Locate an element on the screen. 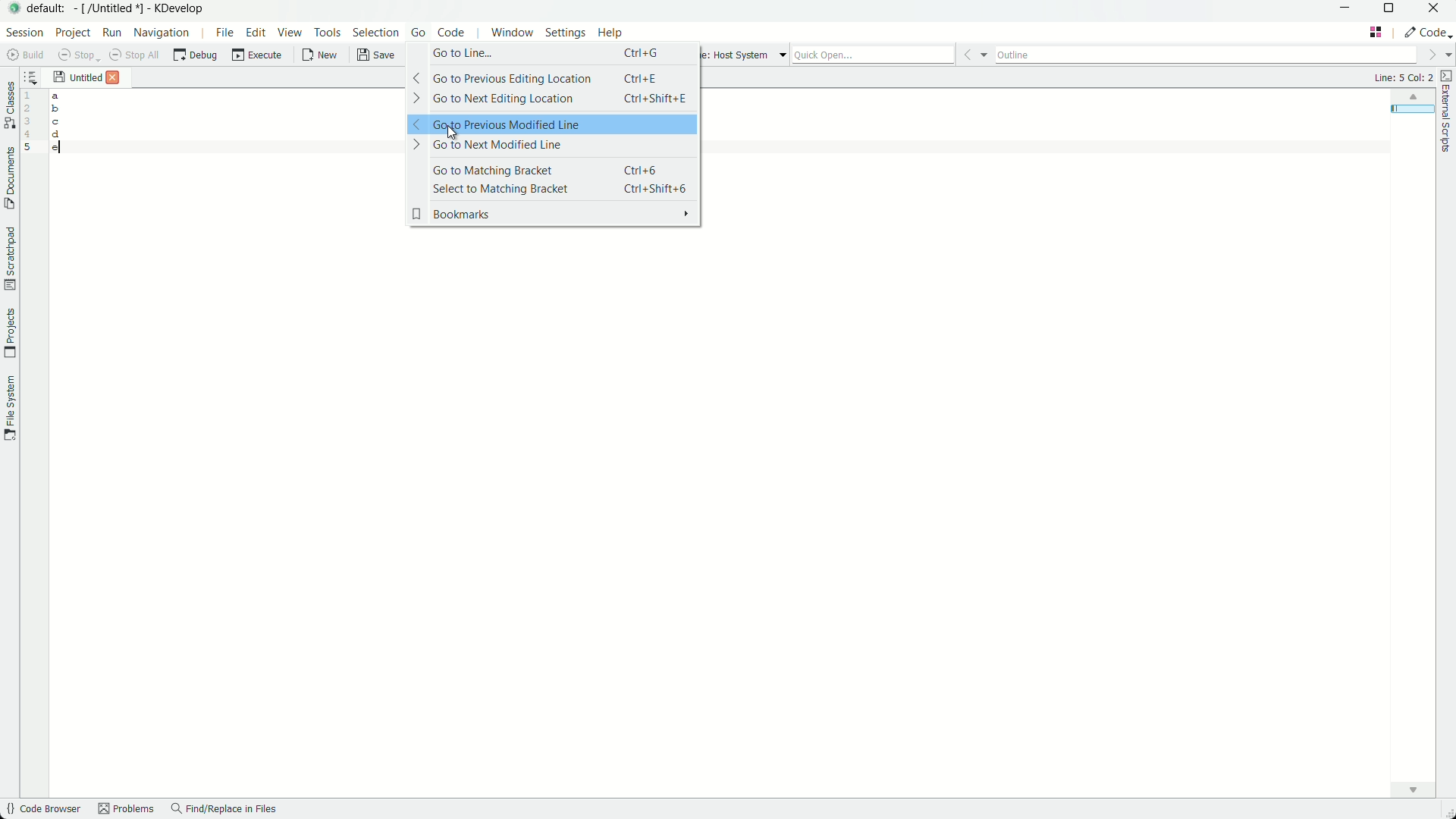 The width and height of the screenshot is (1456, 819). outline is located at coordinates (1221, 55).